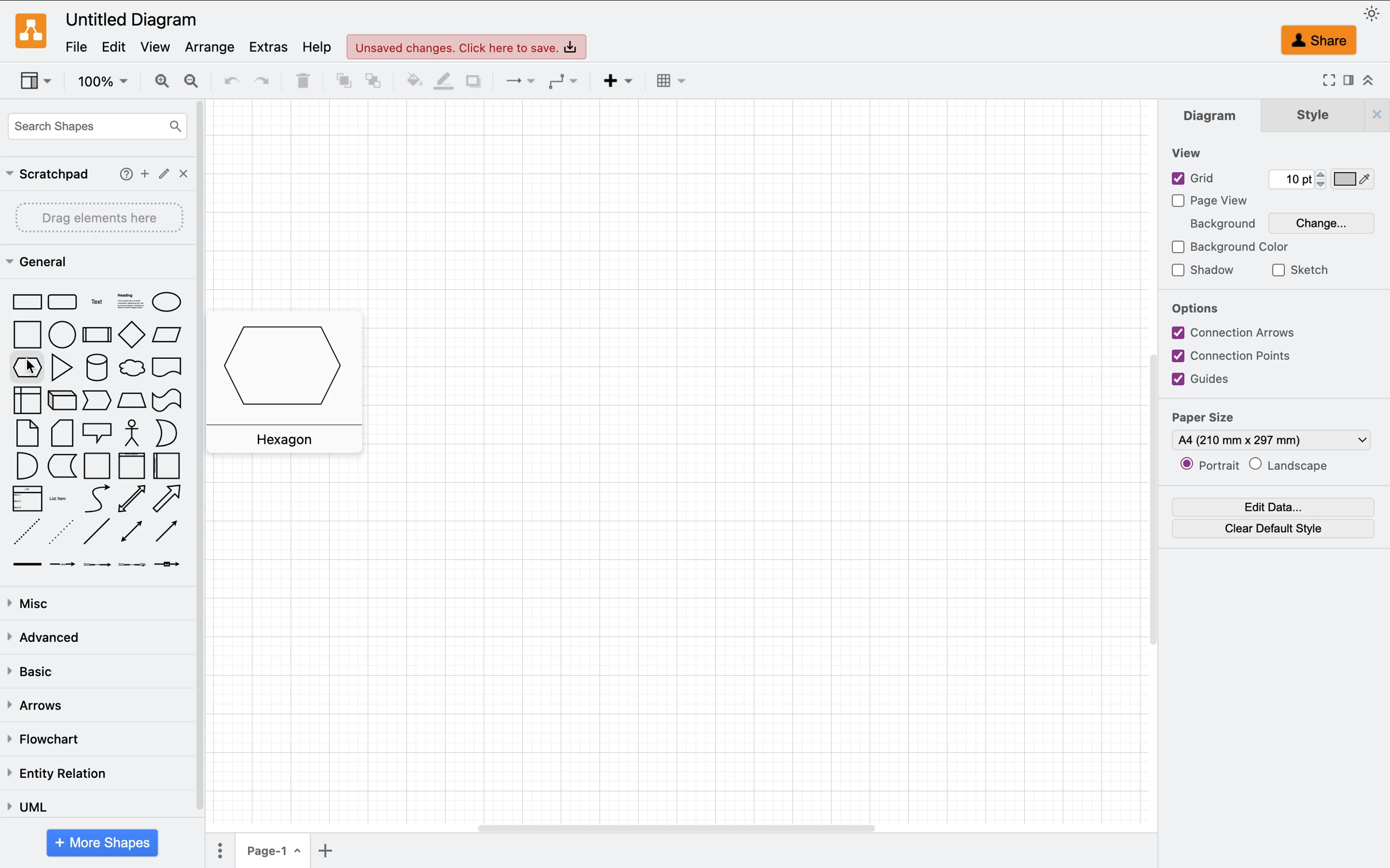 This screenshot has height=868, width=1390. Describe the element at coordinates (26, 401) in the screenshot. I see `internal storage` at that location.